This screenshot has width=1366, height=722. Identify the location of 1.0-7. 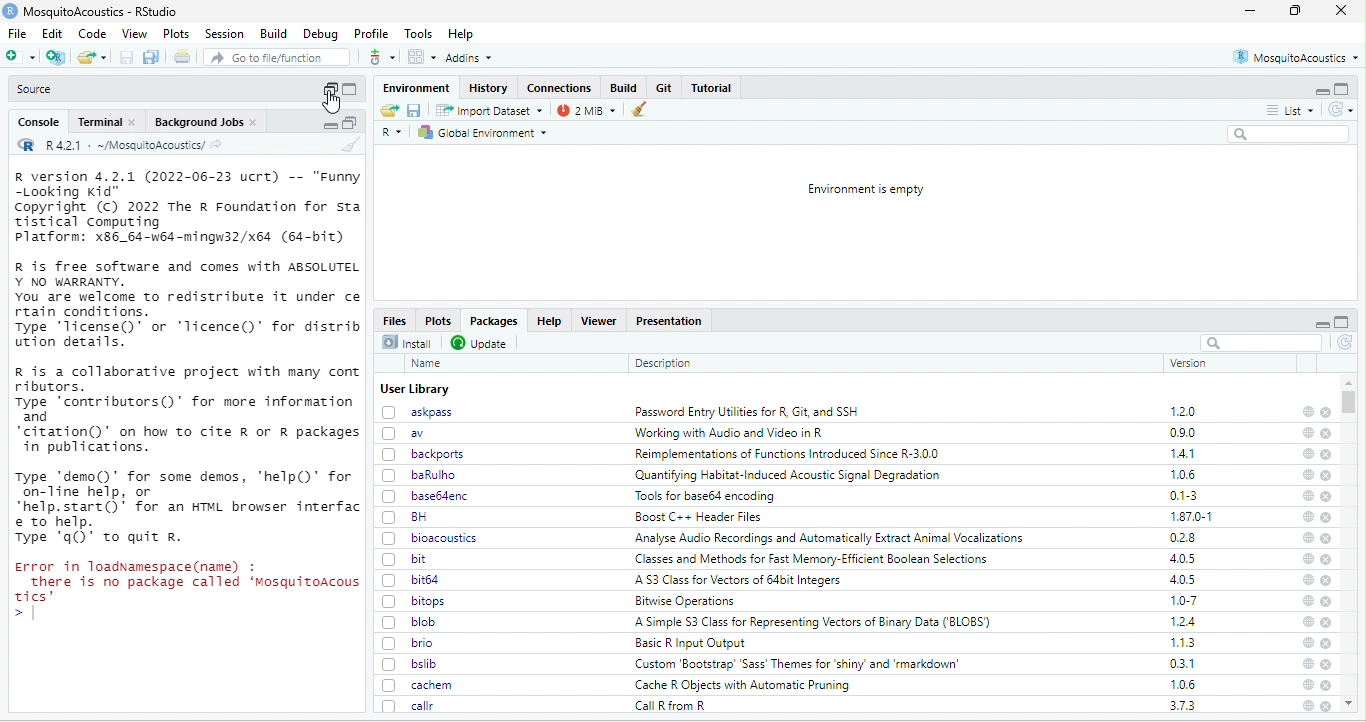
(1182, 601).